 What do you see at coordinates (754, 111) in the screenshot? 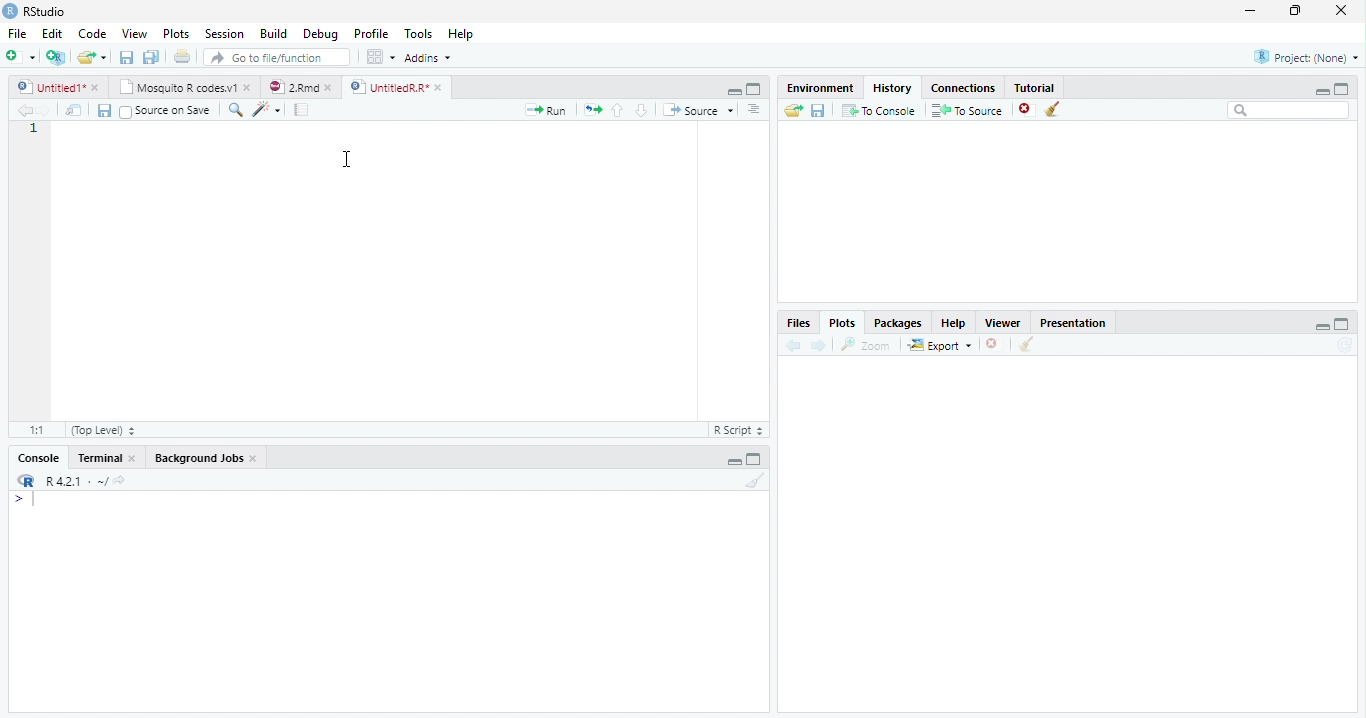
I see `Show document outline` at bounding box center [754, 111].